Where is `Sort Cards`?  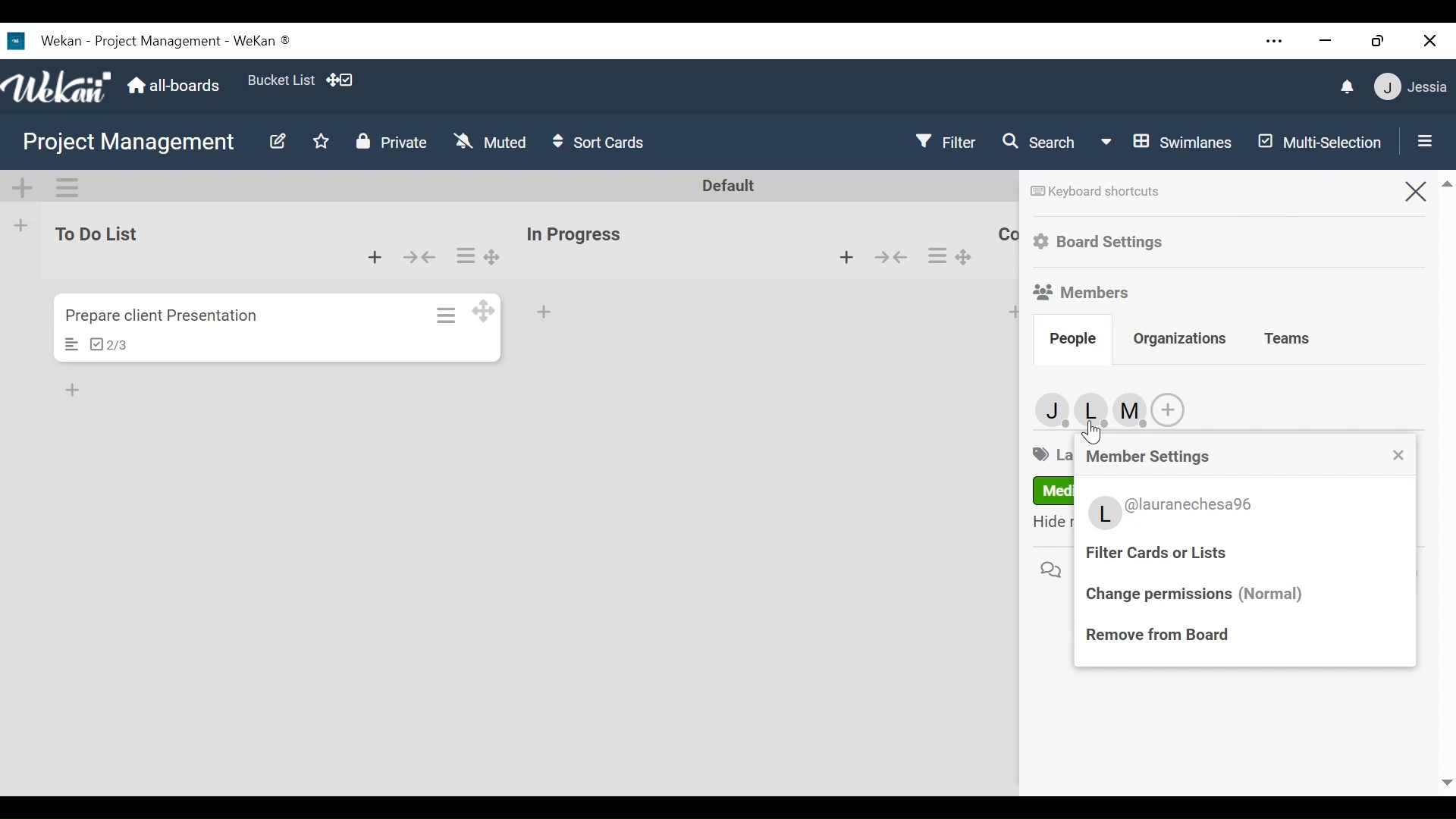 Sort Cards is located at coordinates (599, 141).